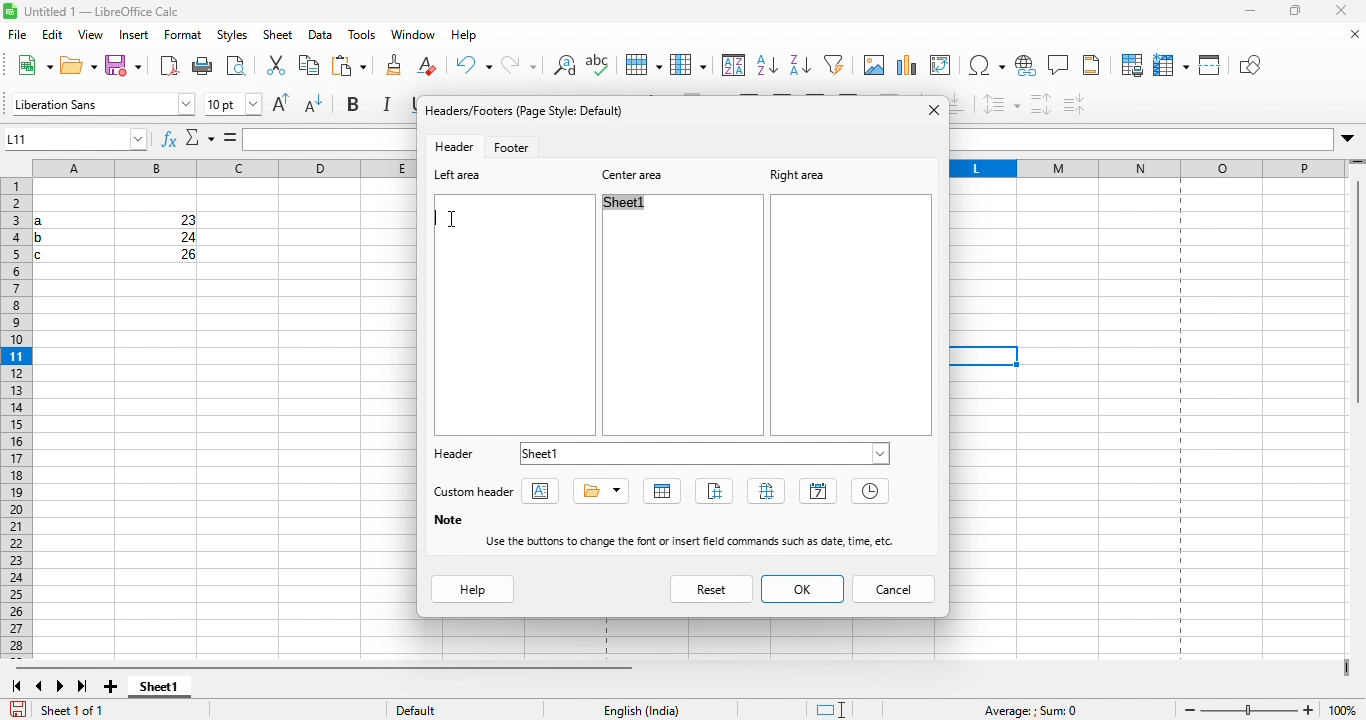 The image size is (1366, 720). What do you see at coordinates (108, 13) in the screenshot?
I see `title` at bounding box center [108, 13].